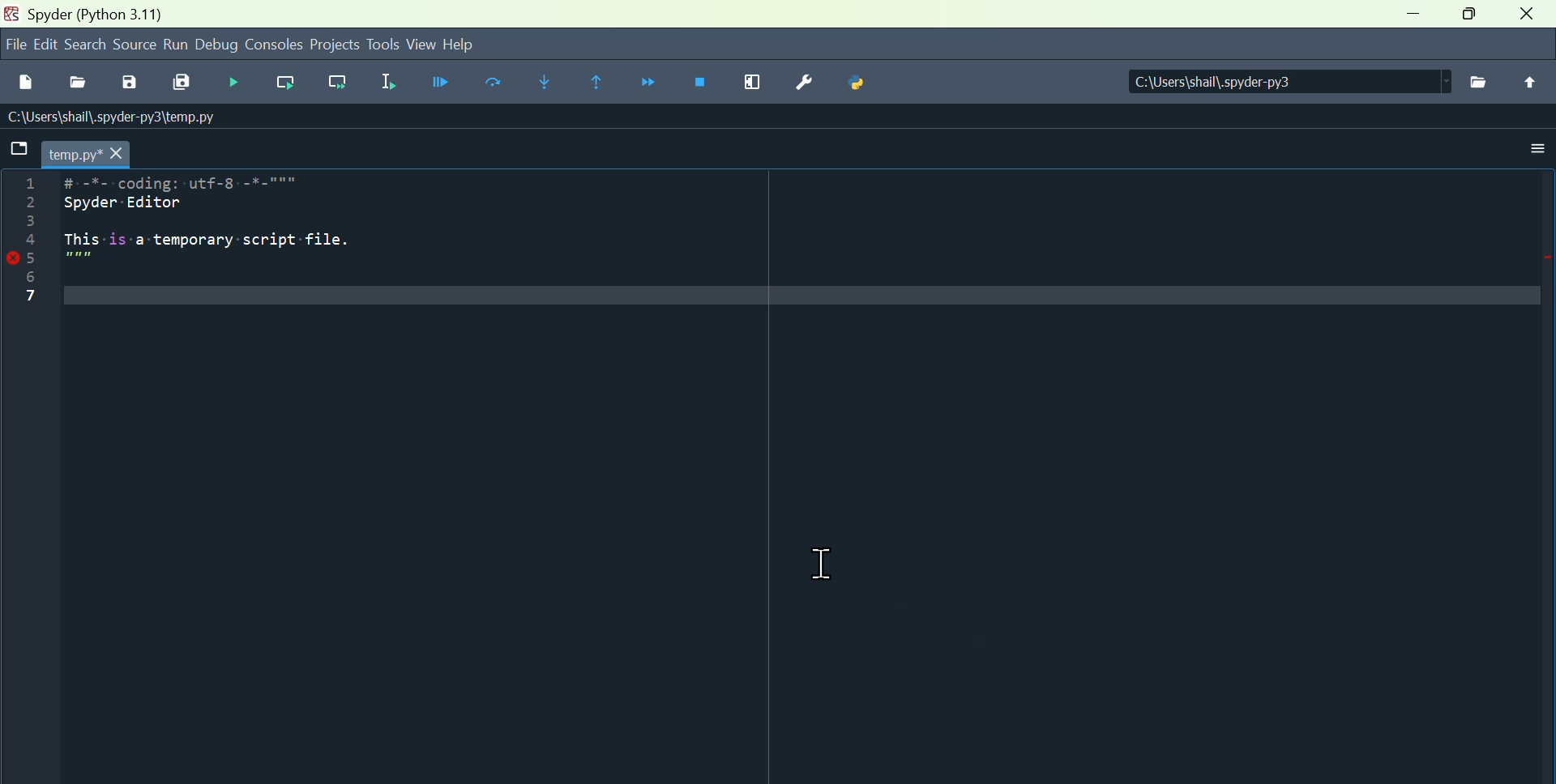  Describe the element at coordinates (48, 45) in the screenshot. I see `Edit` at that location.